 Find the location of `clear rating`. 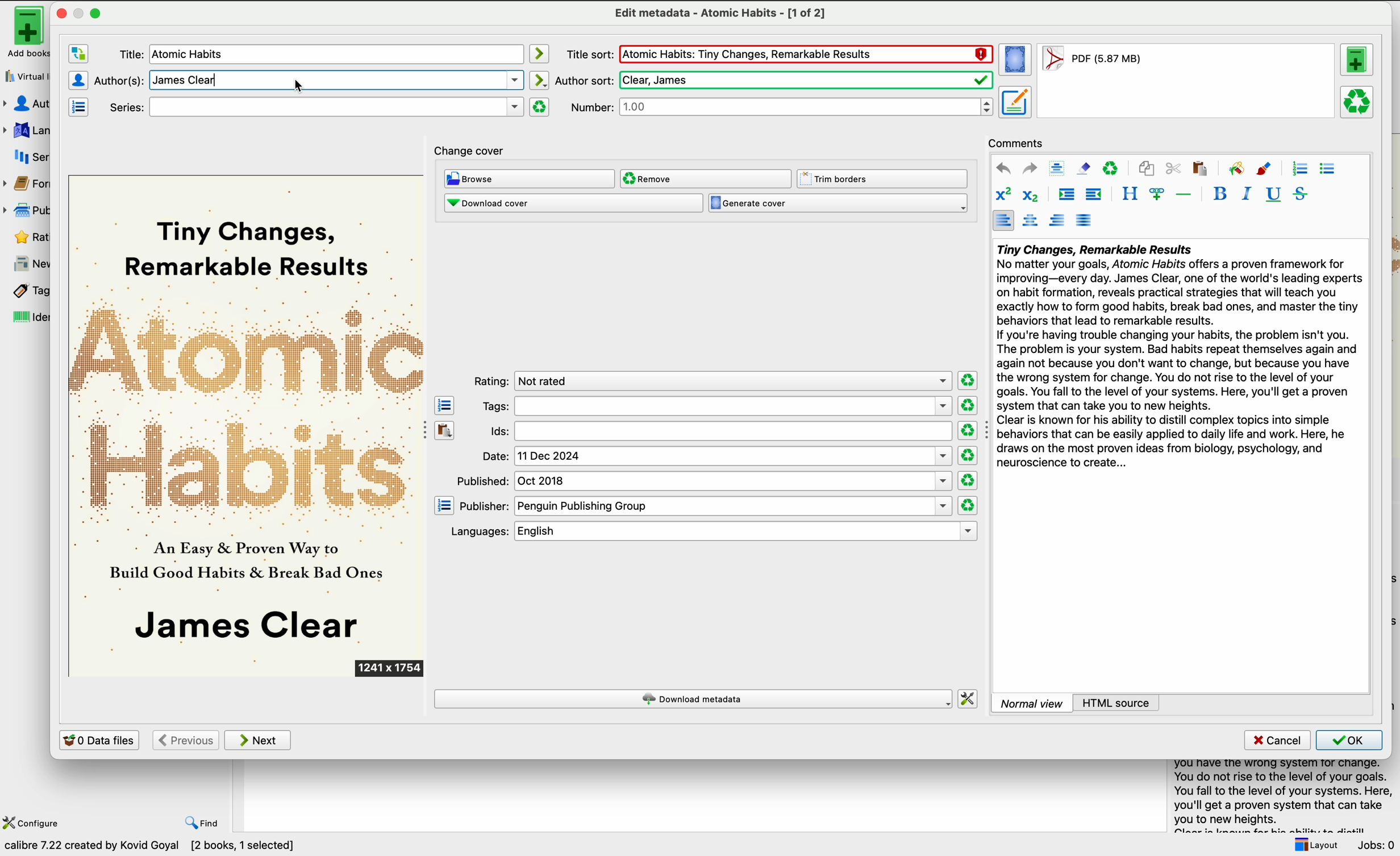

clear rating is located at coordinates (966, 430).